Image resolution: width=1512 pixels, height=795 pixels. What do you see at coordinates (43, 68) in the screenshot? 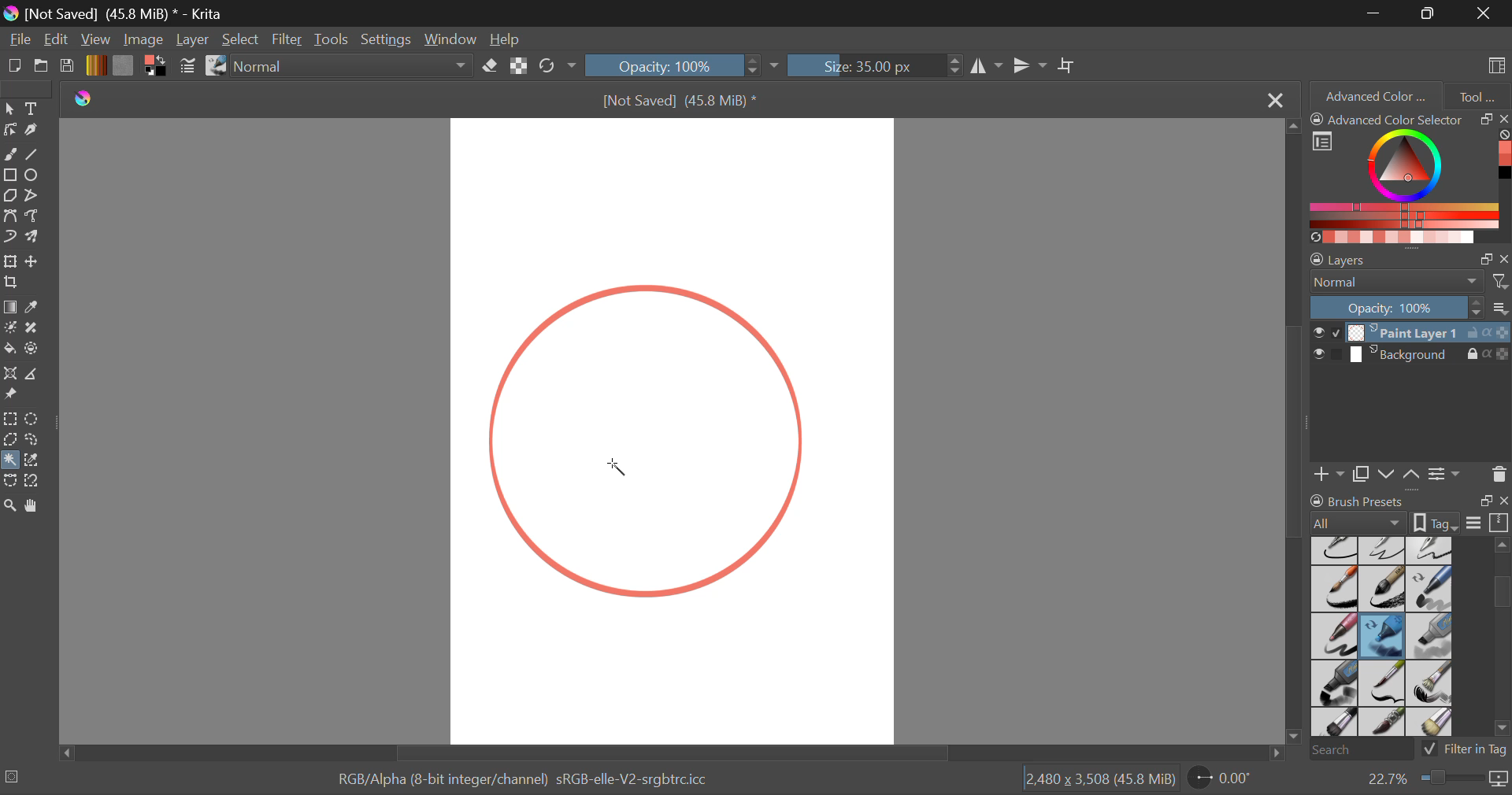
I see `Open` at bounding box center [43, 68].